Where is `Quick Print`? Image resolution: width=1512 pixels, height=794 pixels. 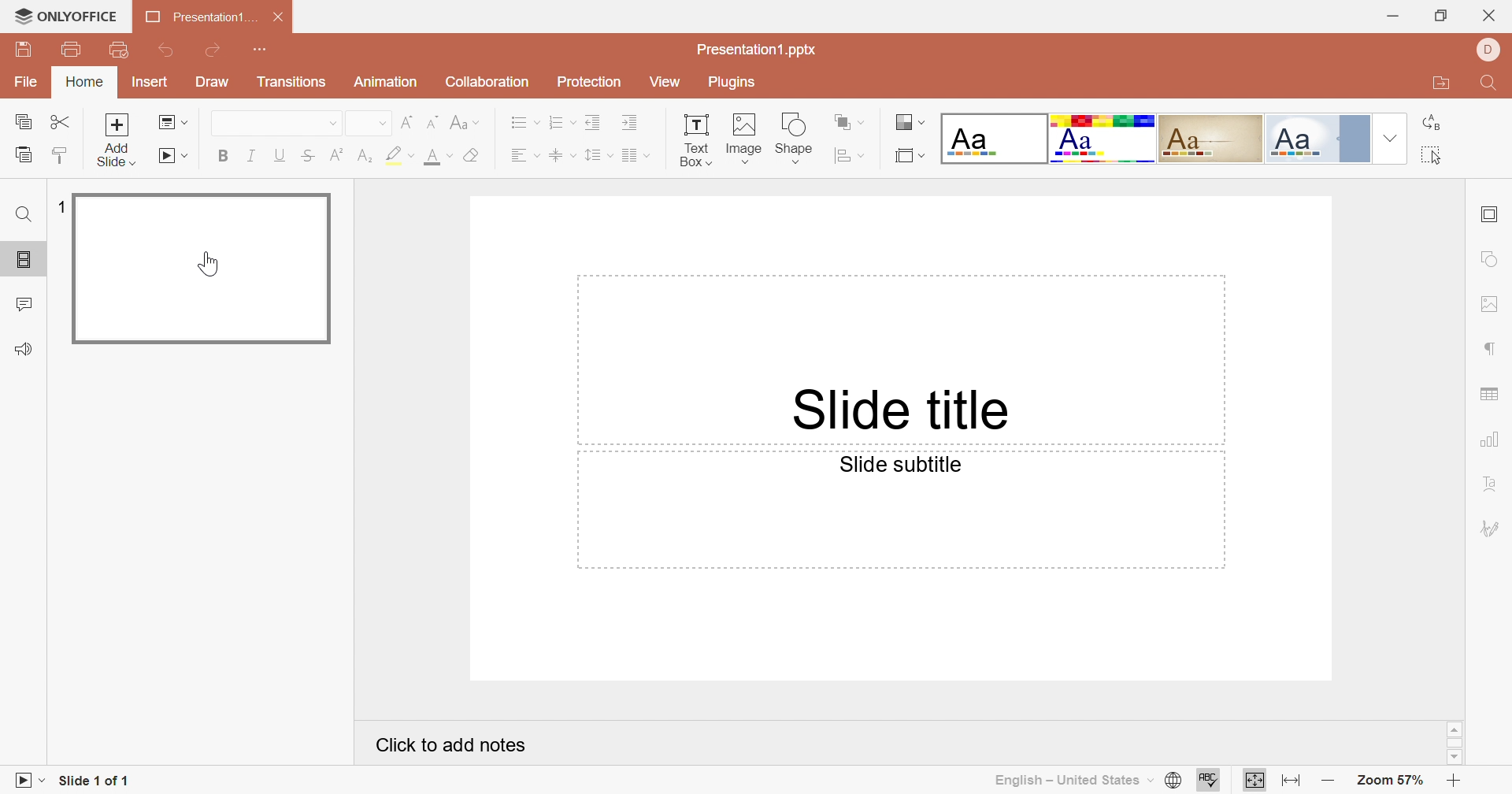
Quick Print is located at coordinates (124, 50).